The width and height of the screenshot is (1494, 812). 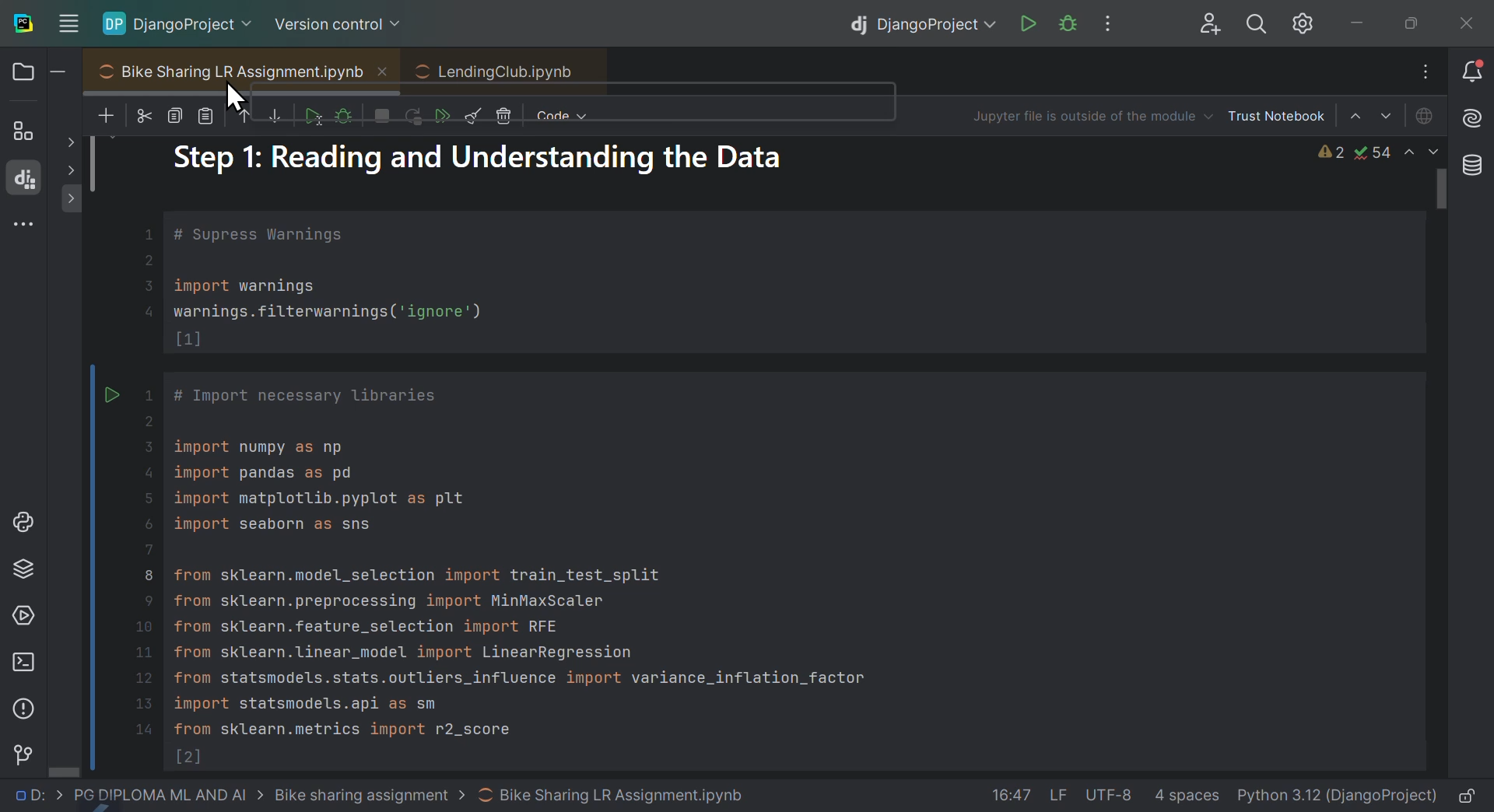 I want to click on minimise, so click(x=1359, y=24).